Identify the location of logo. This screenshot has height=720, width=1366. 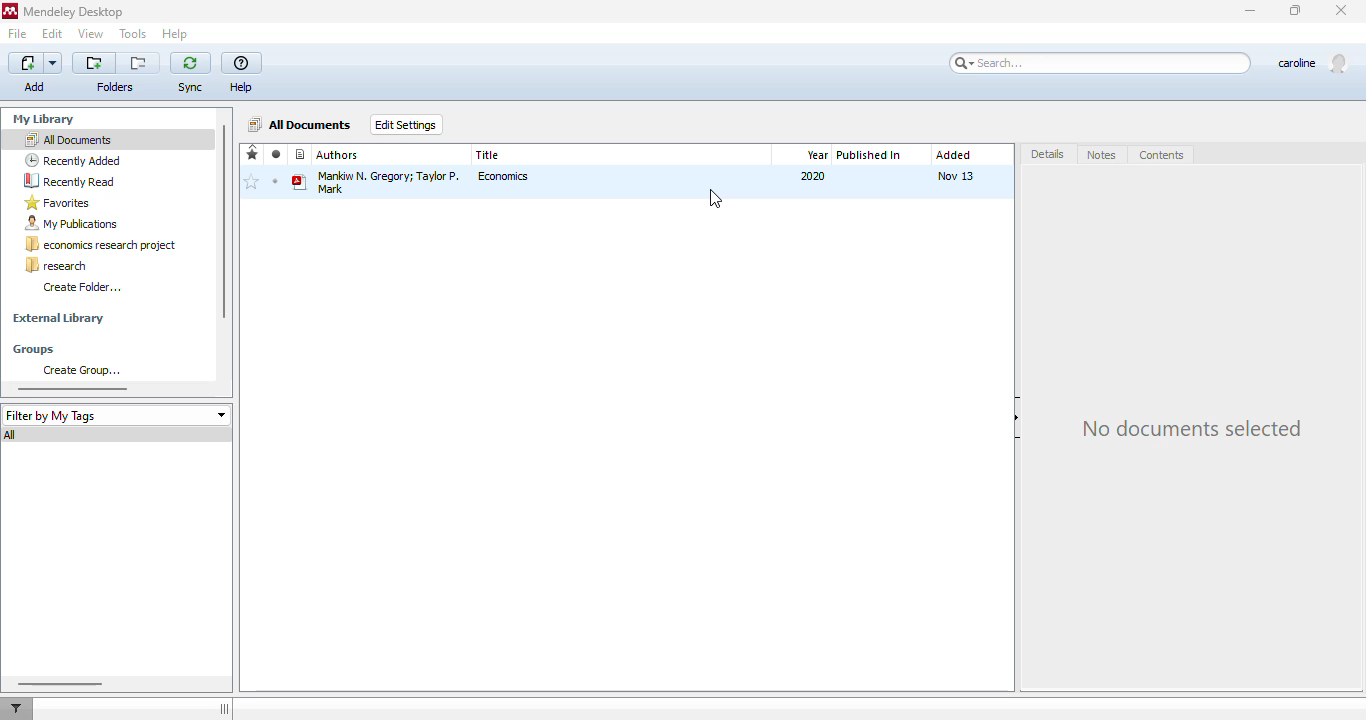
(10, 10).